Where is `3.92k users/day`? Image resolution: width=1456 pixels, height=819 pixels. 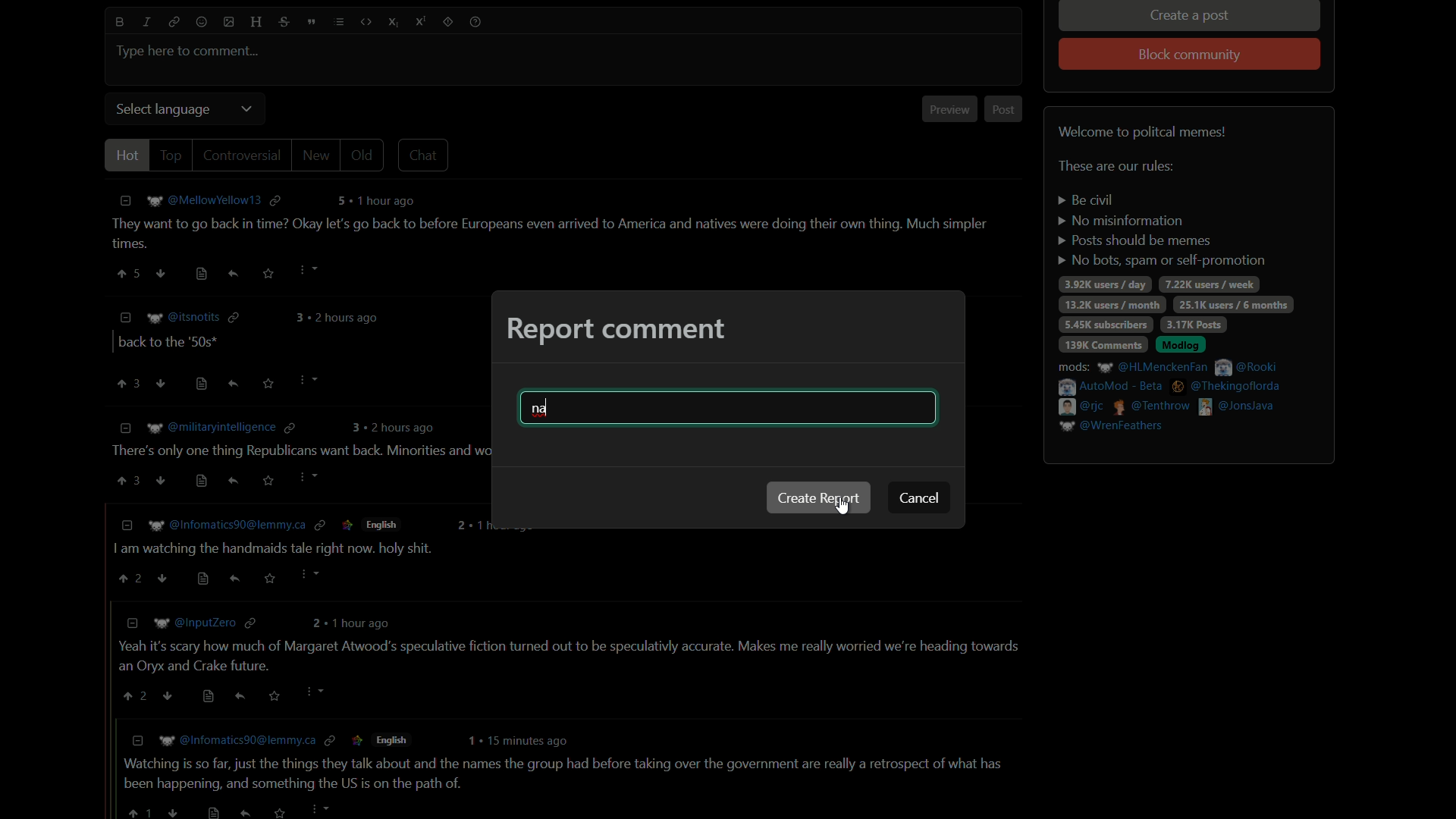
3.92k users/day is located at coordinates (1106, 284).